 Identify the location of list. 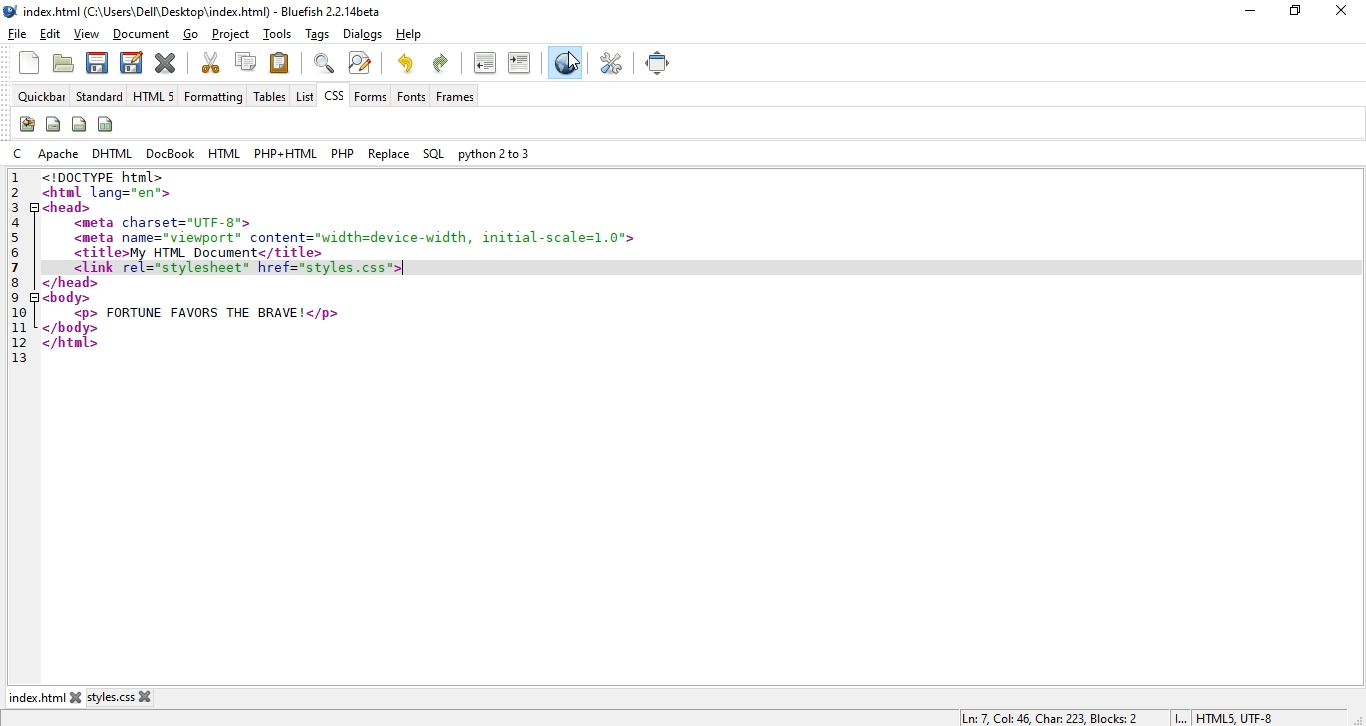
(304, 96).